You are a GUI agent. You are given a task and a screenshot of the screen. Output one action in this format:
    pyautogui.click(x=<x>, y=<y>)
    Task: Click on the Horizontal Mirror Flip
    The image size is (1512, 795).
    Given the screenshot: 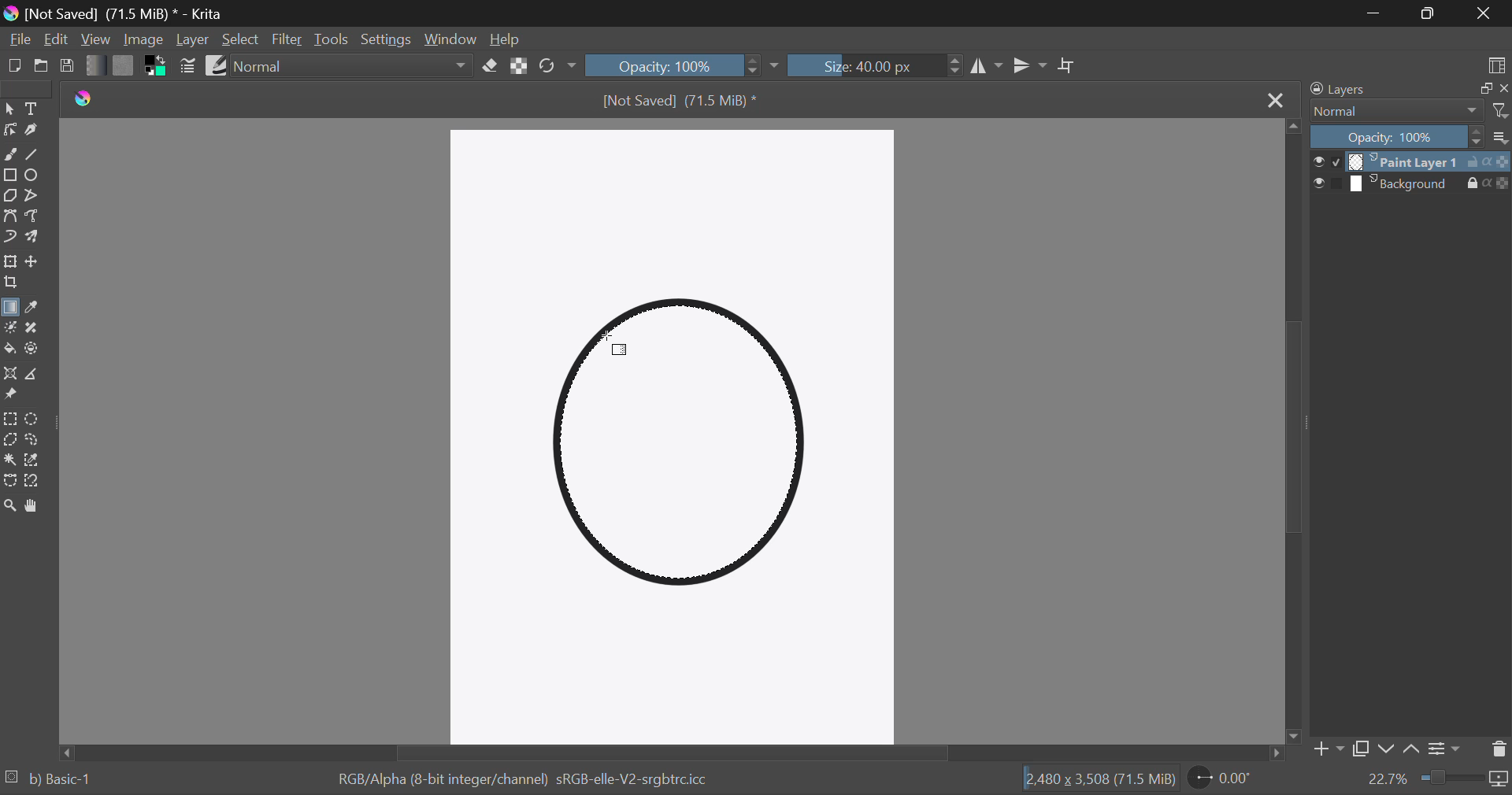 What is the action you would take?
    pyautogui.click(x=1032, y=68)
    